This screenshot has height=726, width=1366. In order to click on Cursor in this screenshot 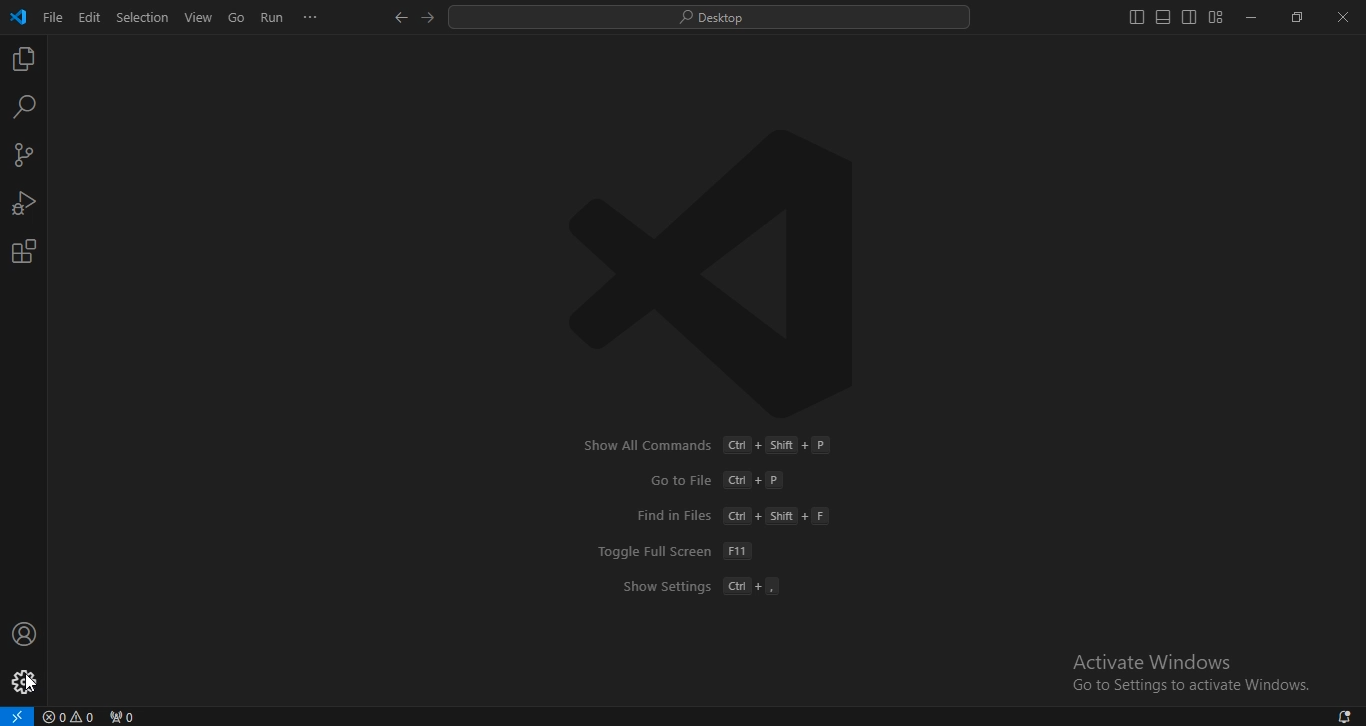, I will do `click(31, 683)`.